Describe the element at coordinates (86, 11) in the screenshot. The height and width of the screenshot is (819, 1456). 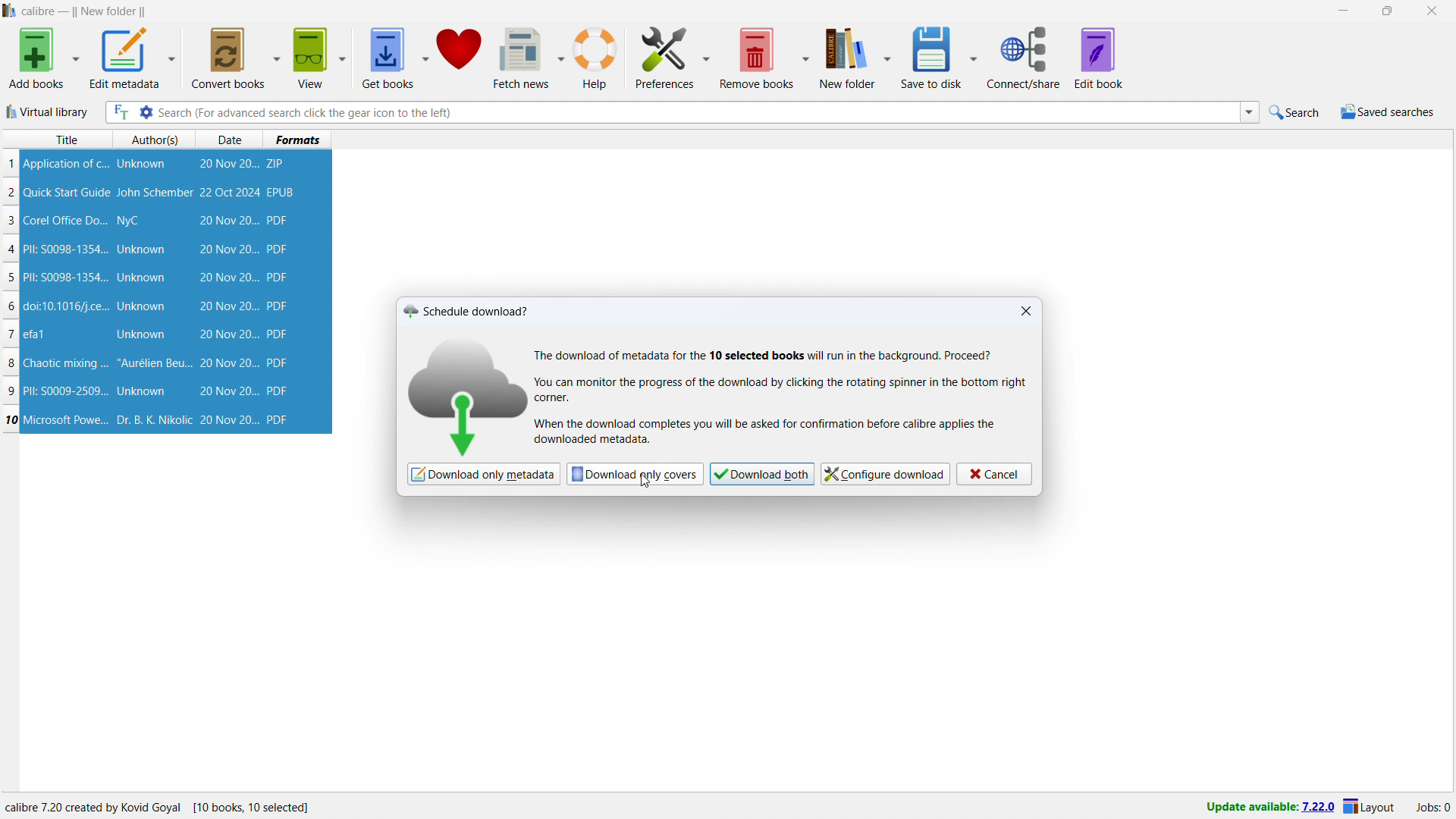
I see `calibre - || New folder||` at that location.